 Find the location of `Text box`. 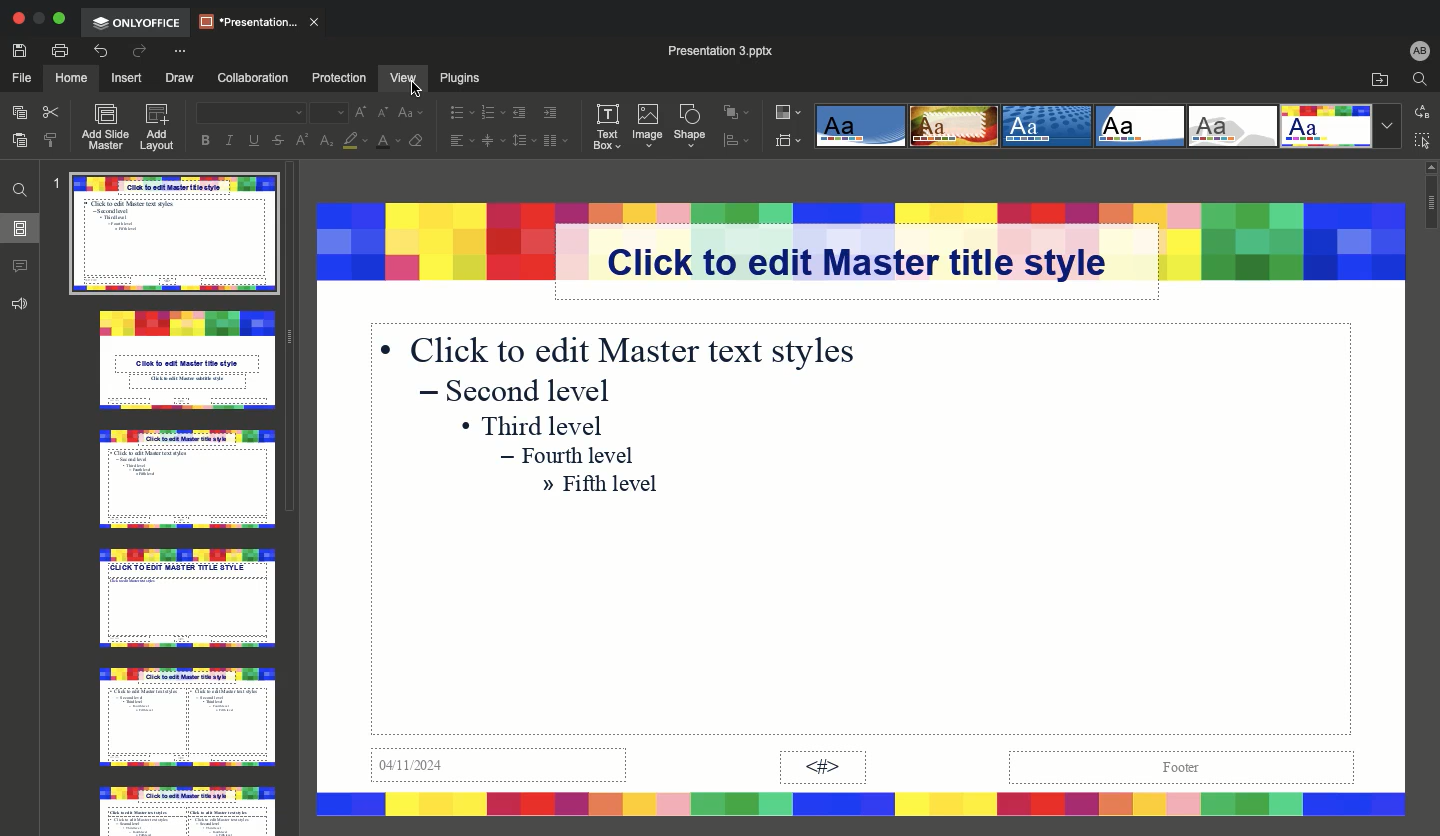

Text box is located at coordinates (608, 127).